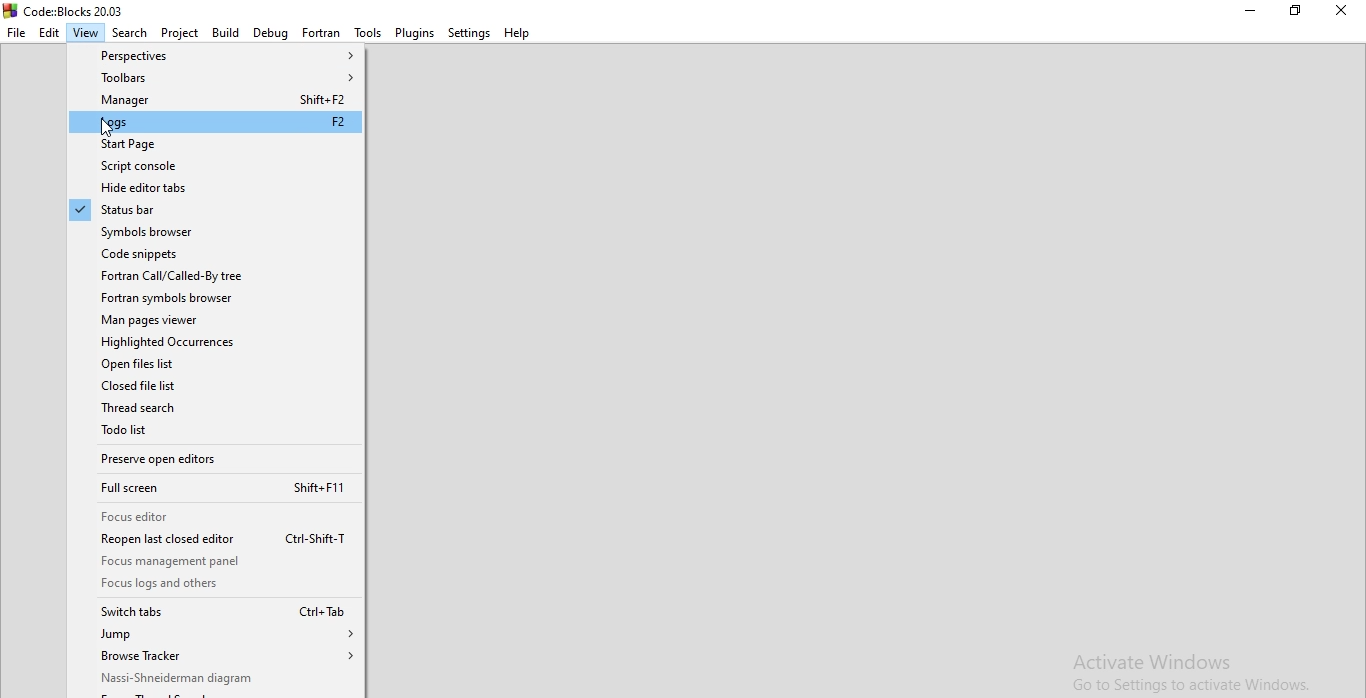  I want to click on Manager, so click(214, 100).